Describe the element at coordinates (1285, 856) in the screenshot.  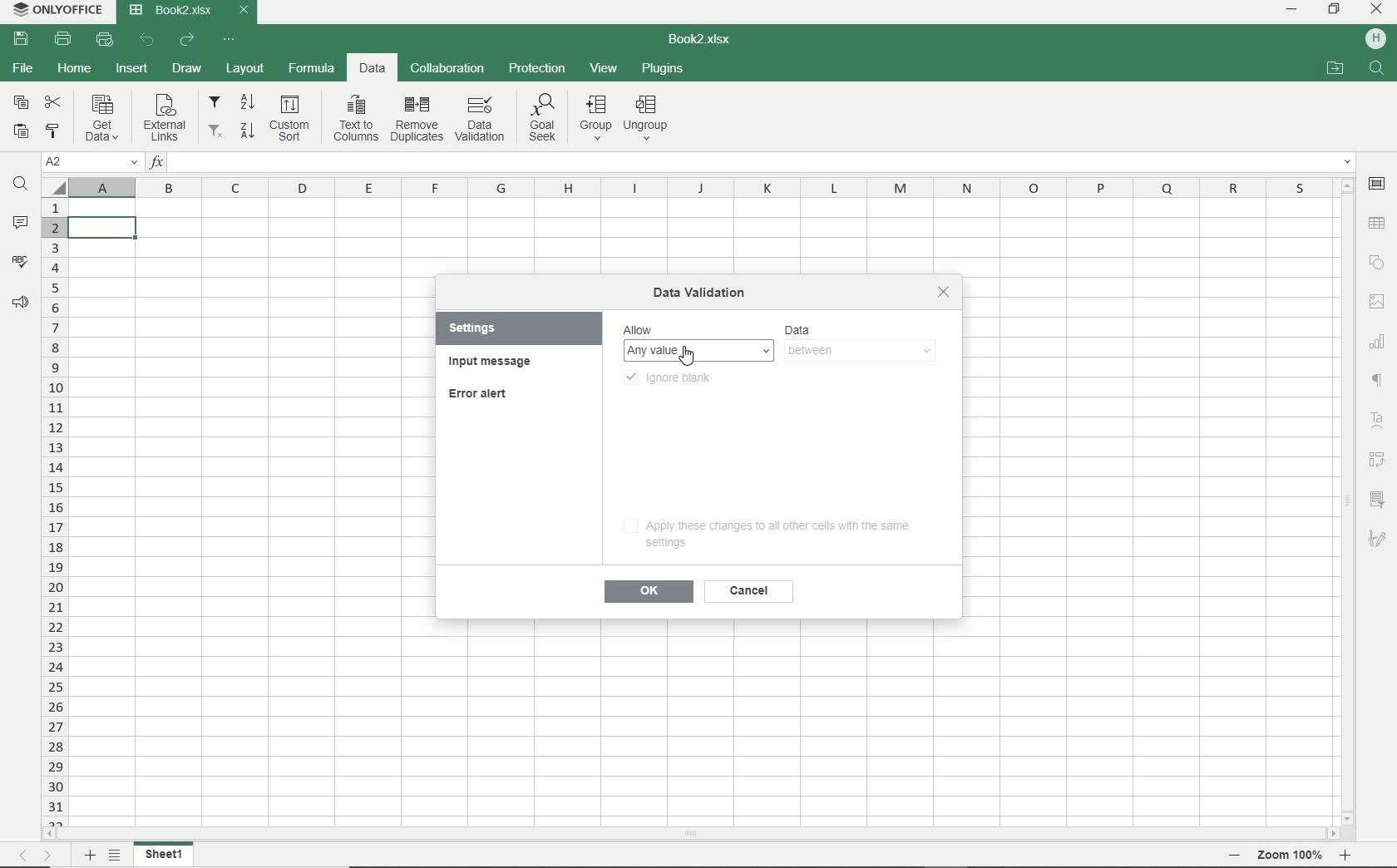
I see `ZOOM OUT OR ZOOM IN` at that location.